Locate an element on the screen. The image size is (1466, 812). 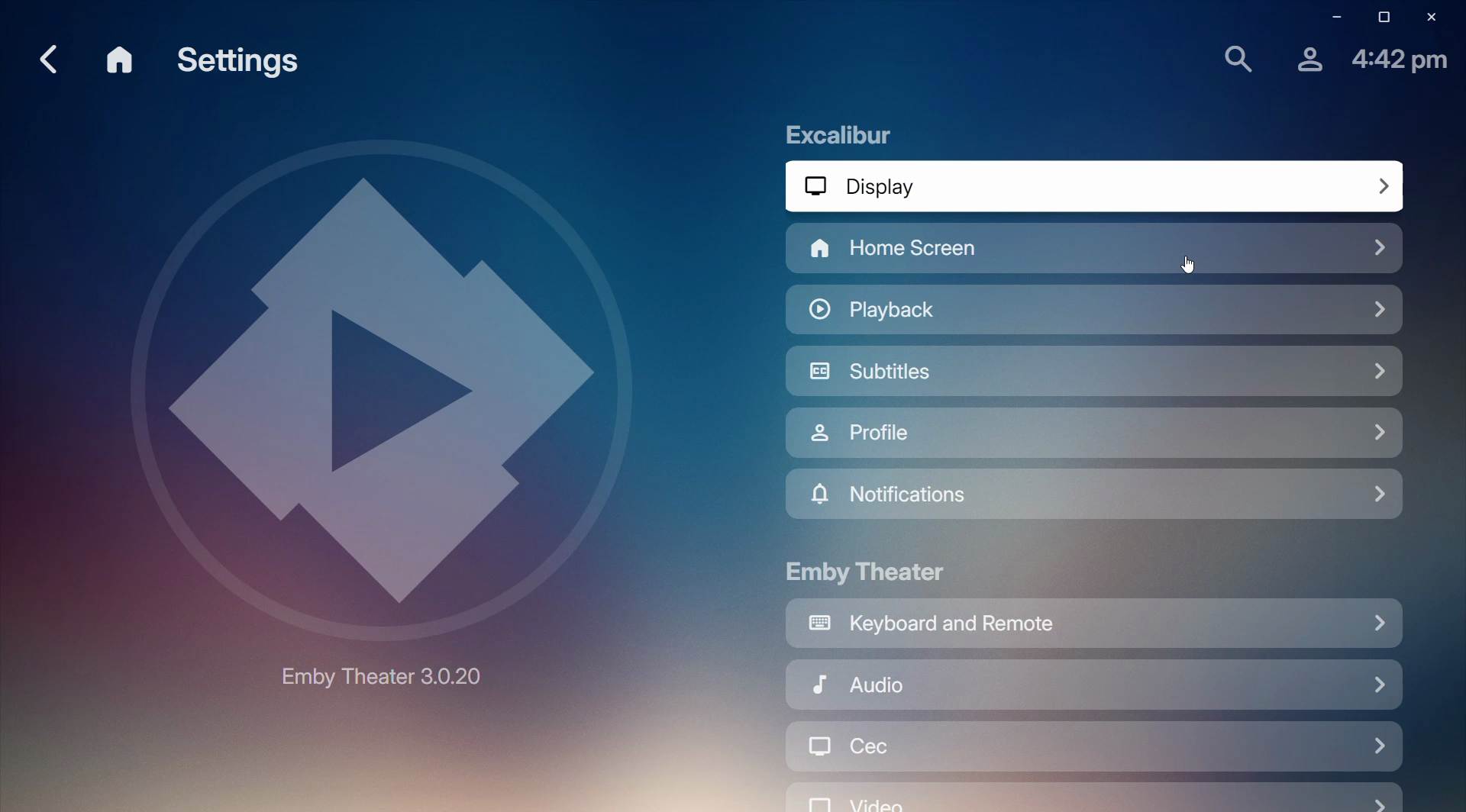
Audio is located at coordinates (1105, 683).